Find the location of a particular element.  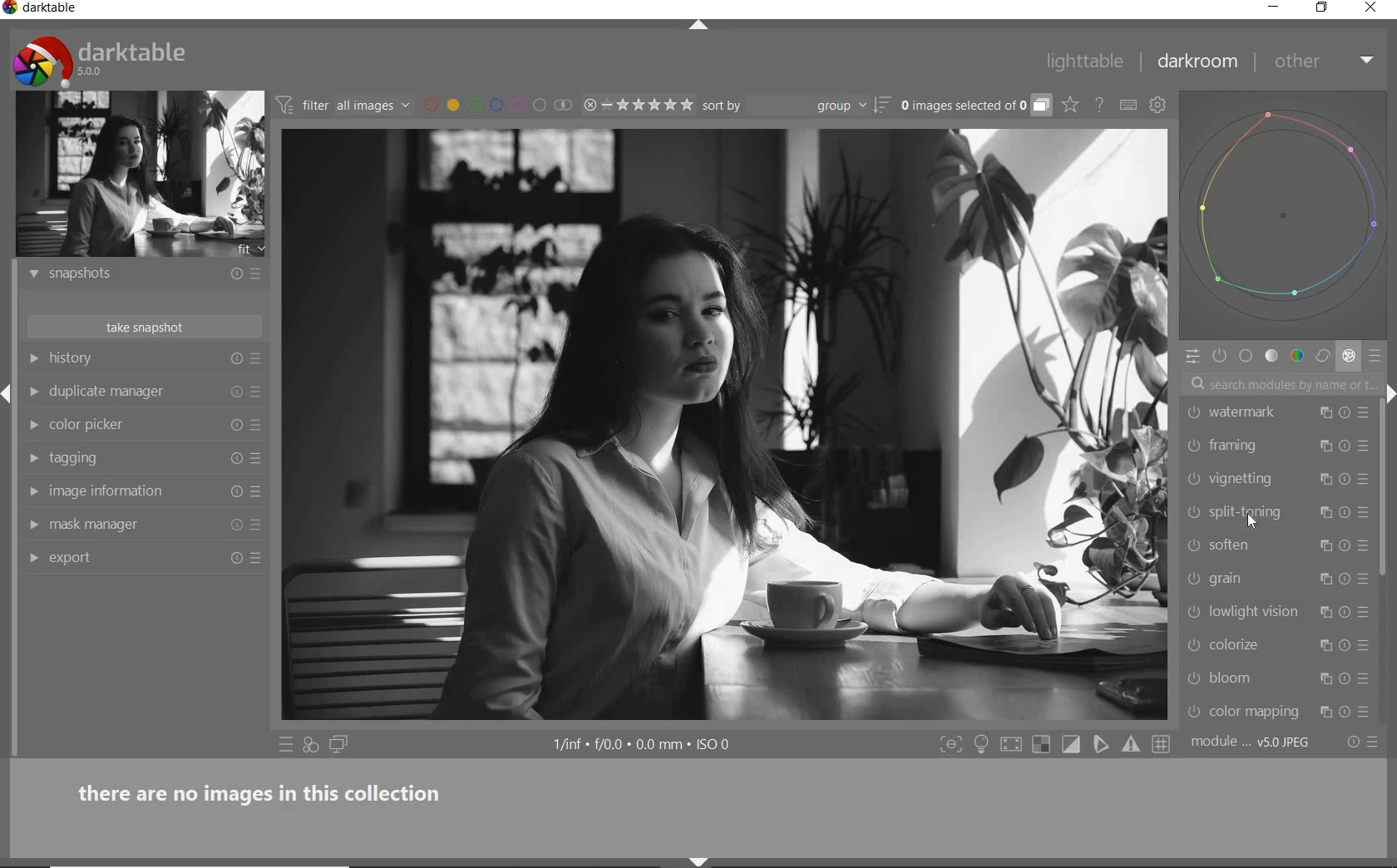

ctrl+b is located at coordinates (983, 744).